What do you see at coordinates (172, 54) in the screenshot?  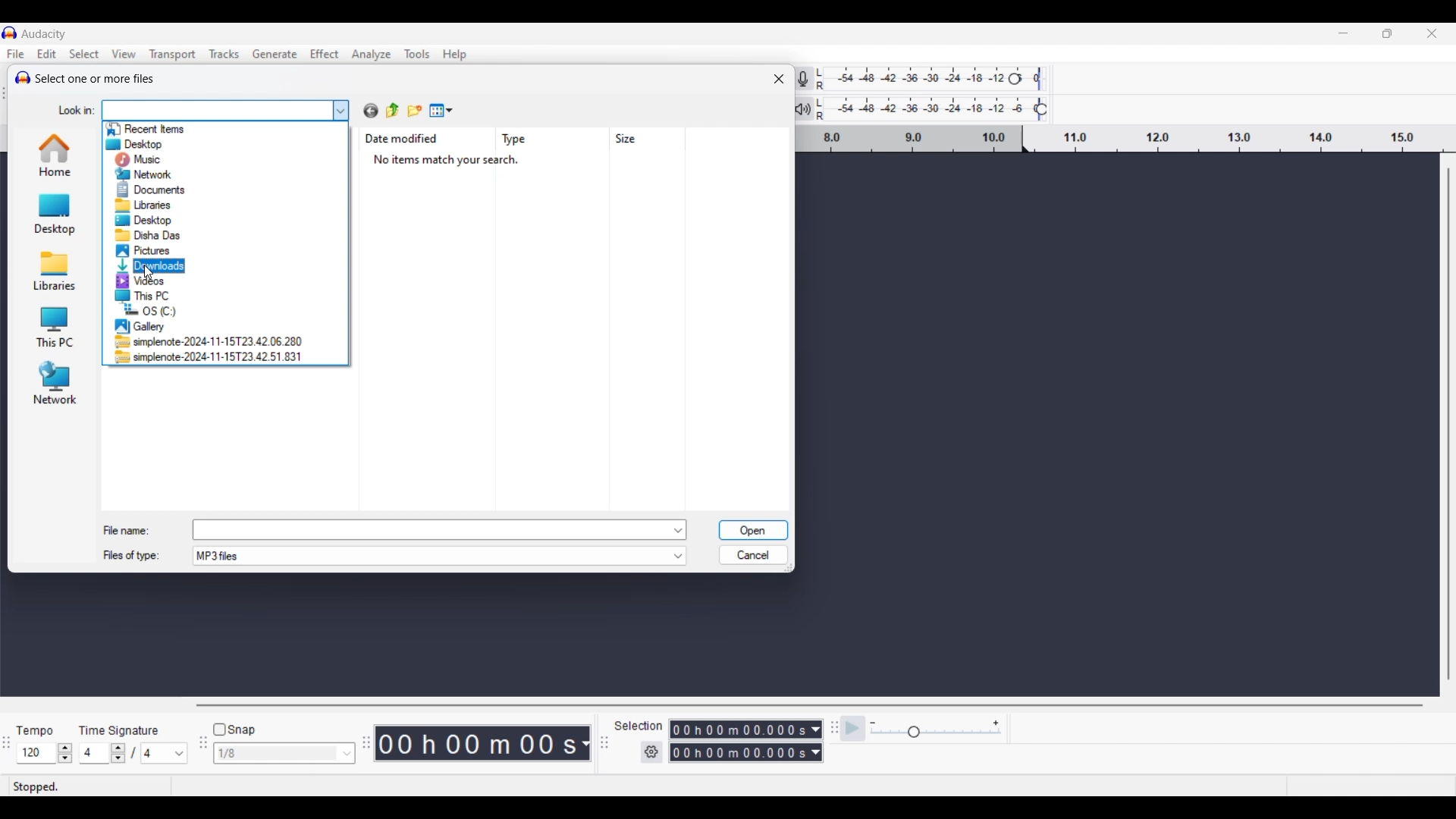 I see `Transport menu` at bounding box center [172, 54].